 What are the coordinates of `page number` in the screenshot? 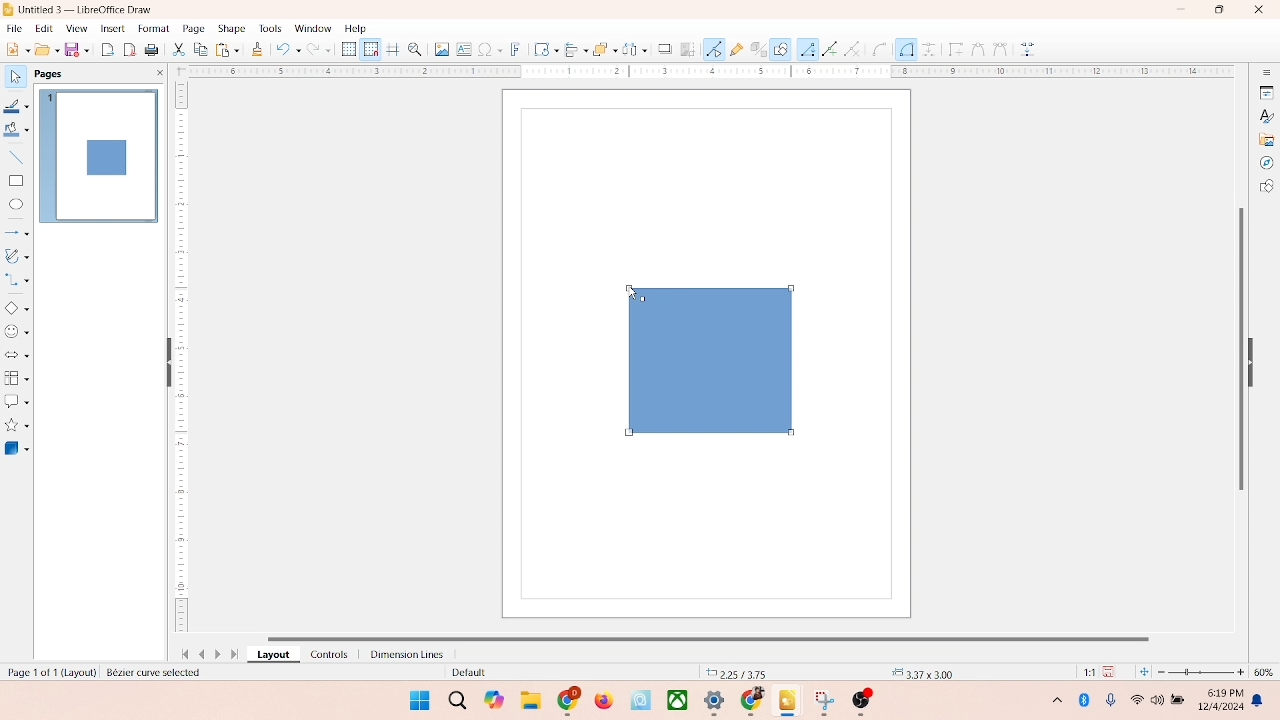 It's located at (49, 671).